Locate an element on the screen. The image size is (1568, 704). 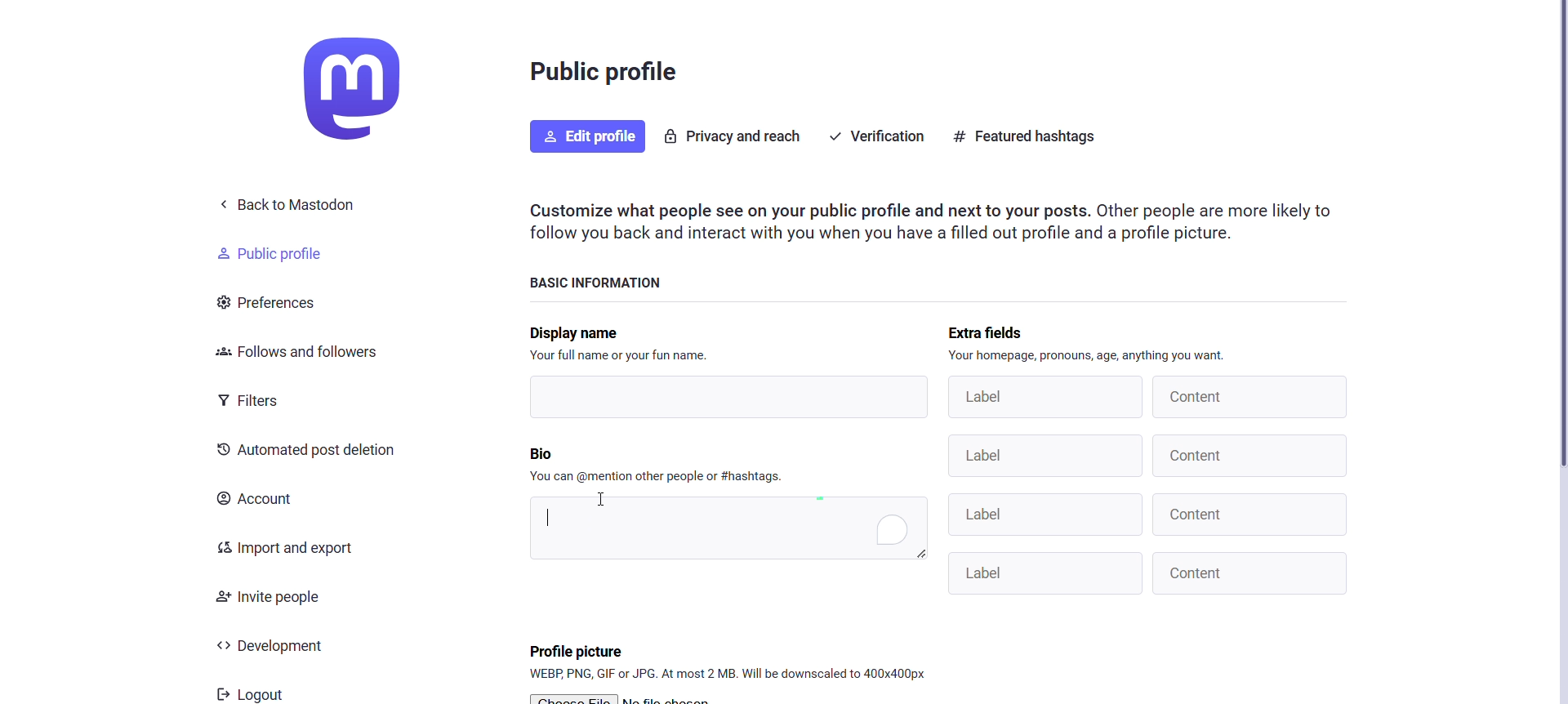
Back to Mastodon is located at coordinates (292, 205).